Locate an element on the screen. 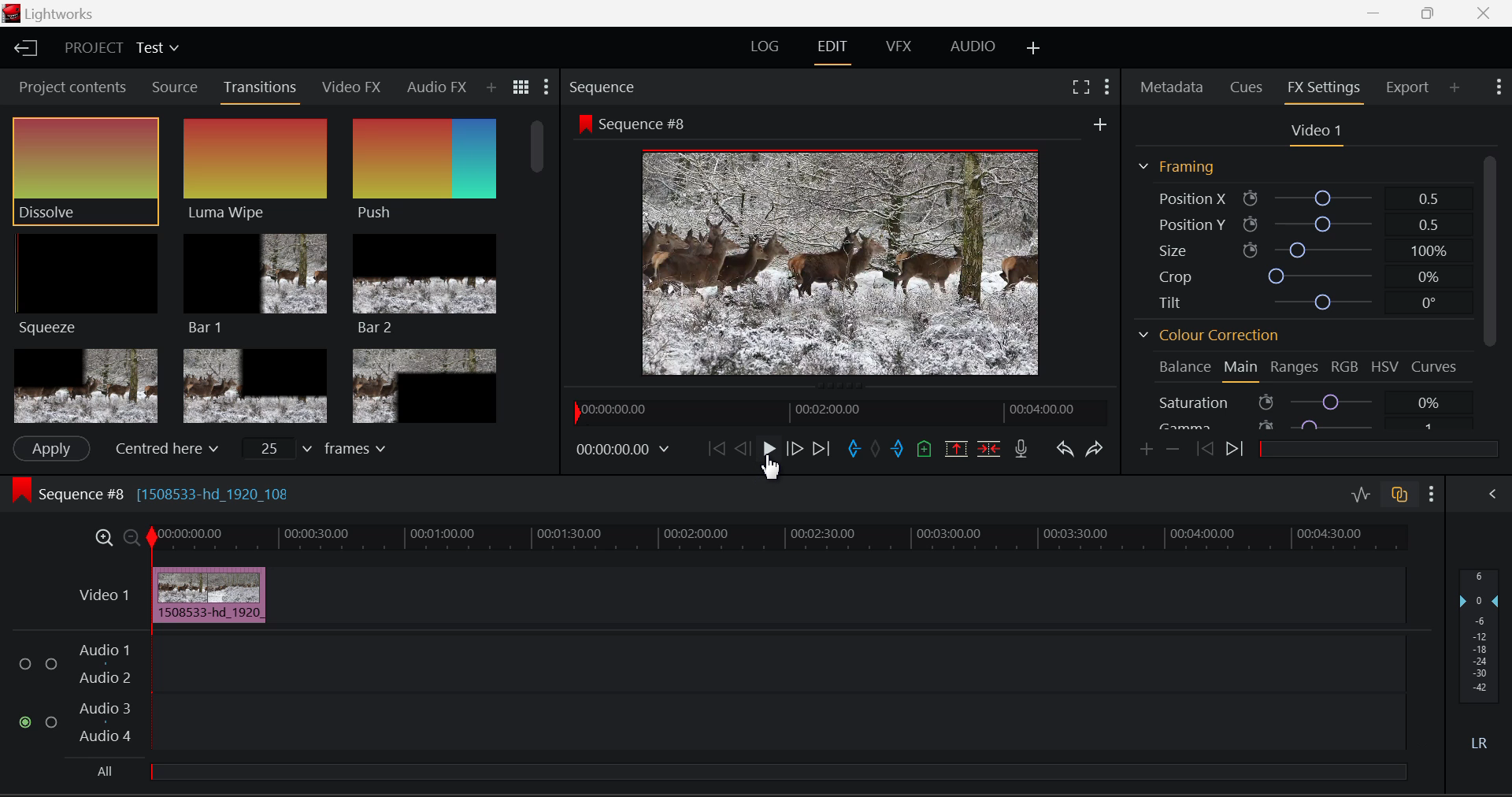 Image resolution: width=1512 pixels, height=797 pixels. Toggle Audio Track Sync is located at coordinates (1402, 496).